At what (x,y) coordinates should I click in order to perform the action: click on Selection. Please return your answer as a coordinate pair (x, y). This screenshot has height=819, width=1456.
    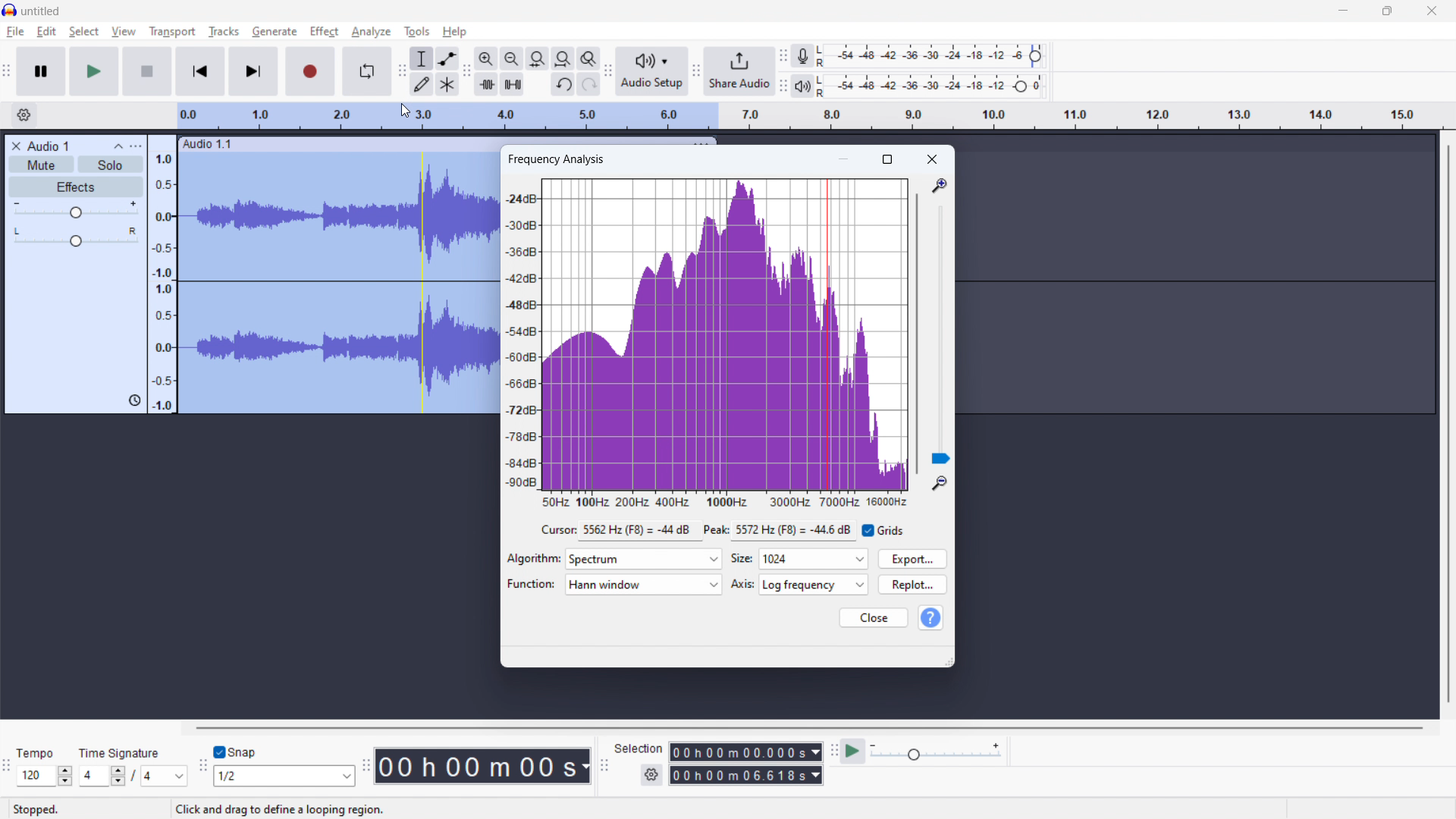
    Looking at the image, I should click on (639, 747).